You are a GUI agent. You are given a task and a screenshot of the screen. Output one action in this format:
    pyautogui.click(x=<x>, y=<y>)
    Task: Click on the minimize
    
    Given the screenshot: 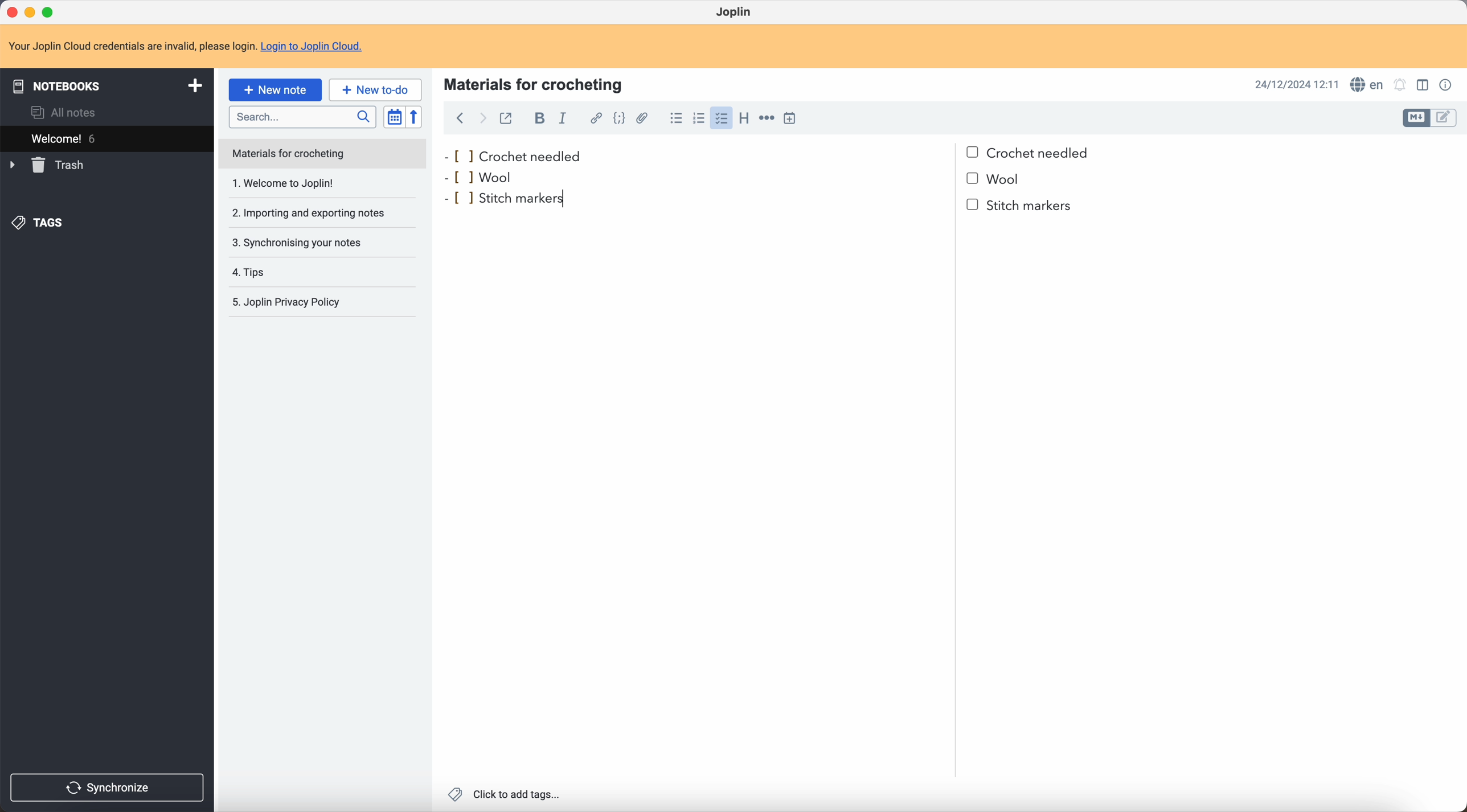 What is the action you would take?
    pyautogui.click(x=32, y=13)
    